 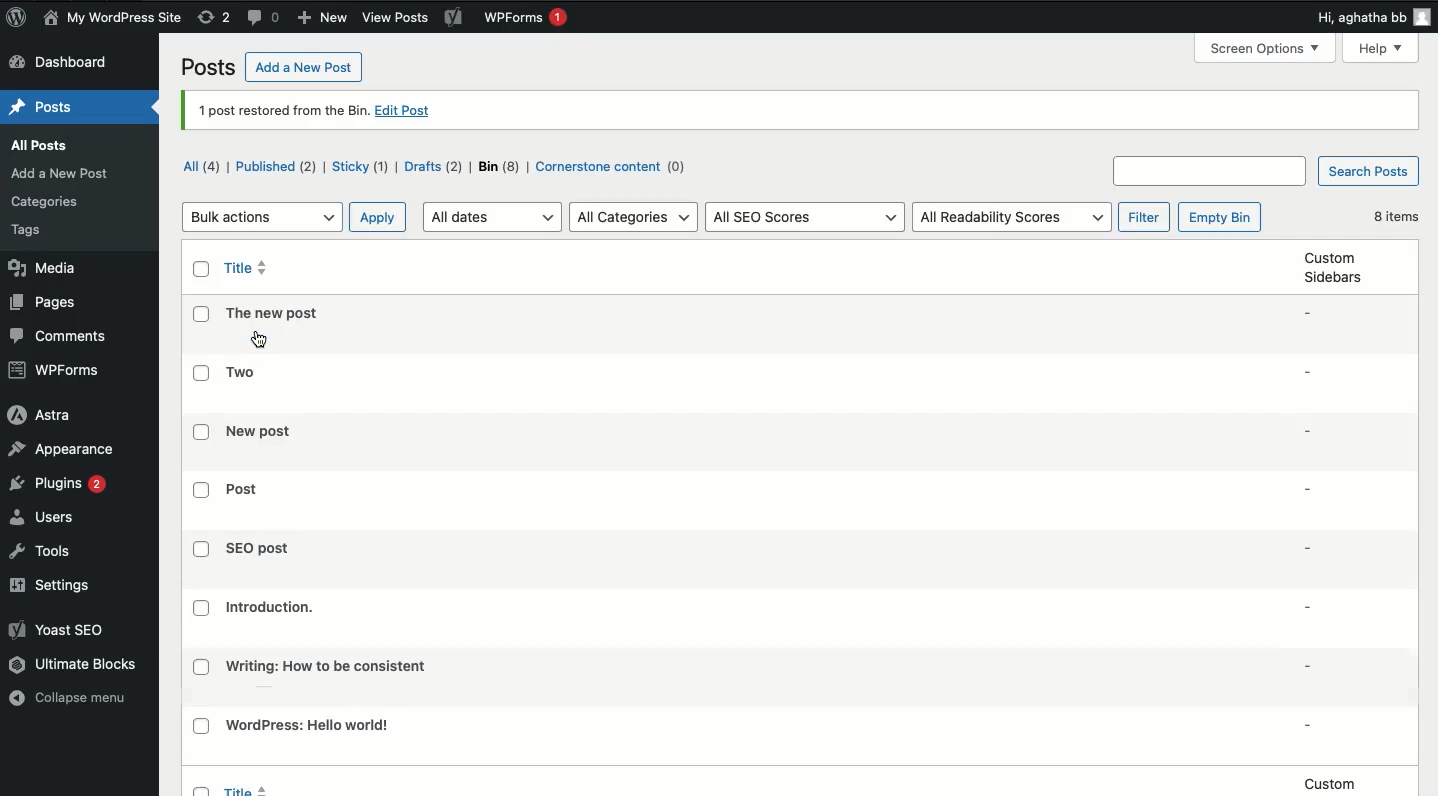 I want to click on Comments, so click(x=63, y=337).